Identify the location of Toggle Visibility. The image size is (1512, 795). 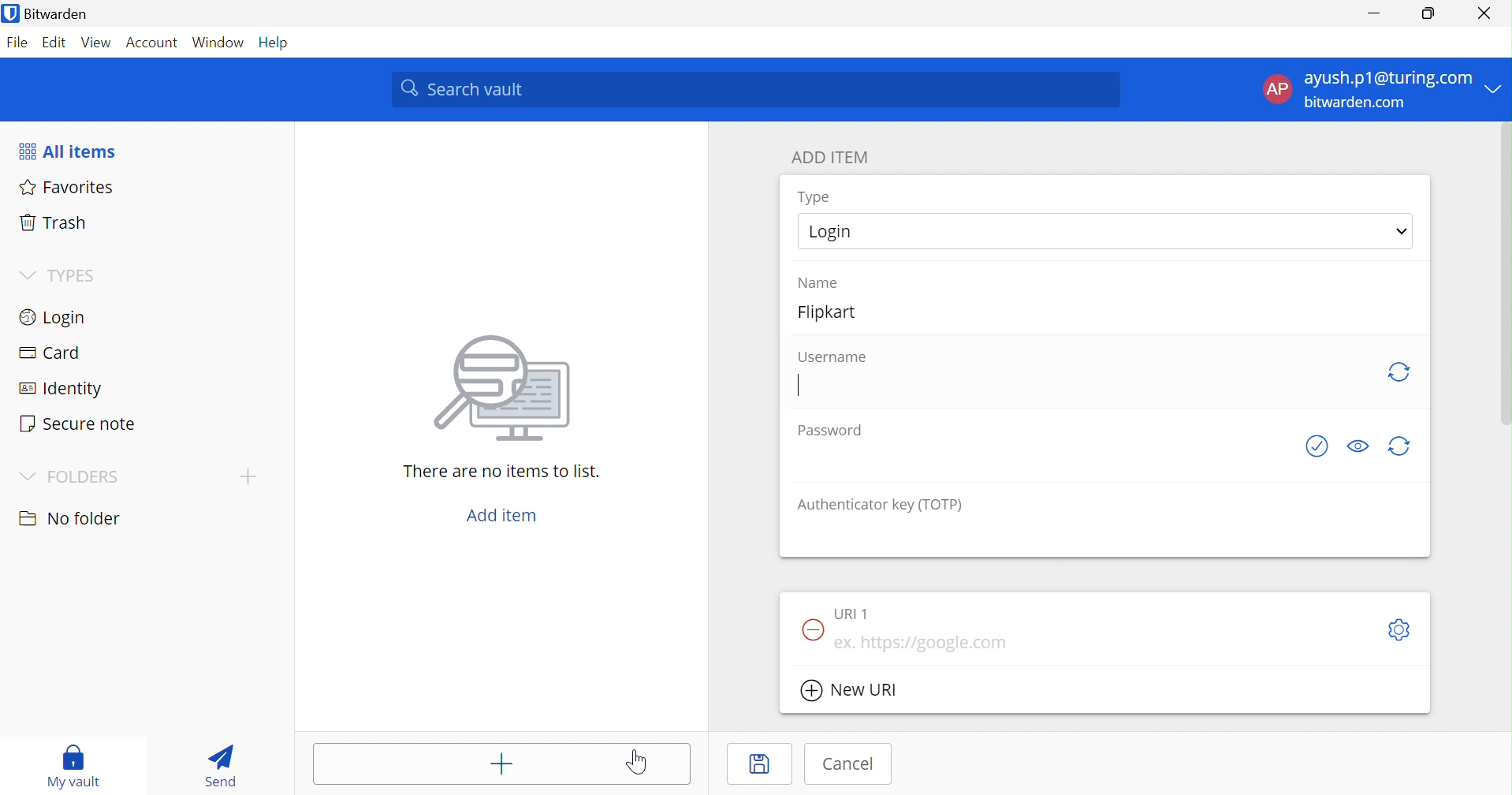
(1361, 444).